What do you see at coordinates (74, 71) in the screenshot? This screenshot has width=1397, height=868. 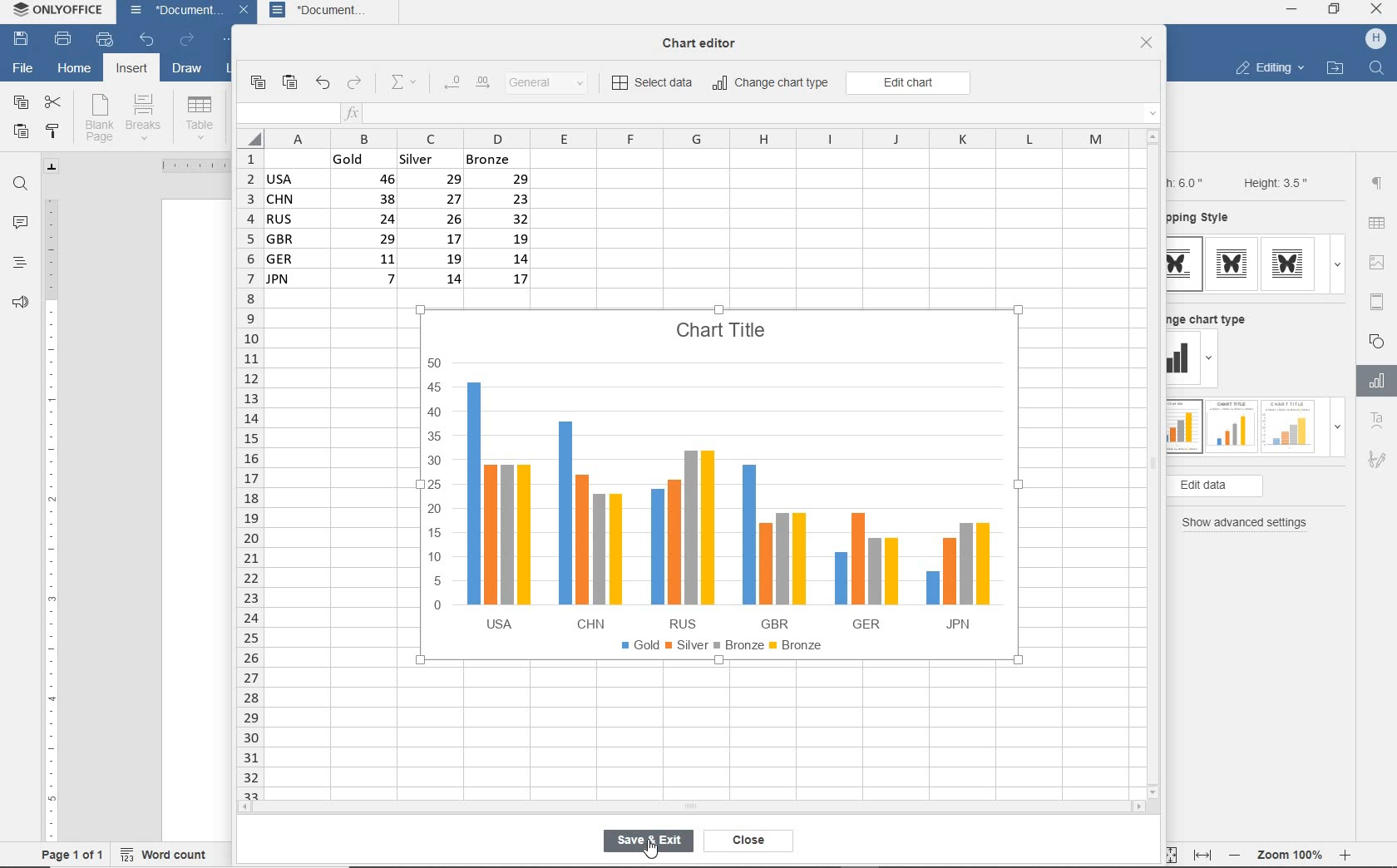 I see `home` at bounding box center [74, 71].